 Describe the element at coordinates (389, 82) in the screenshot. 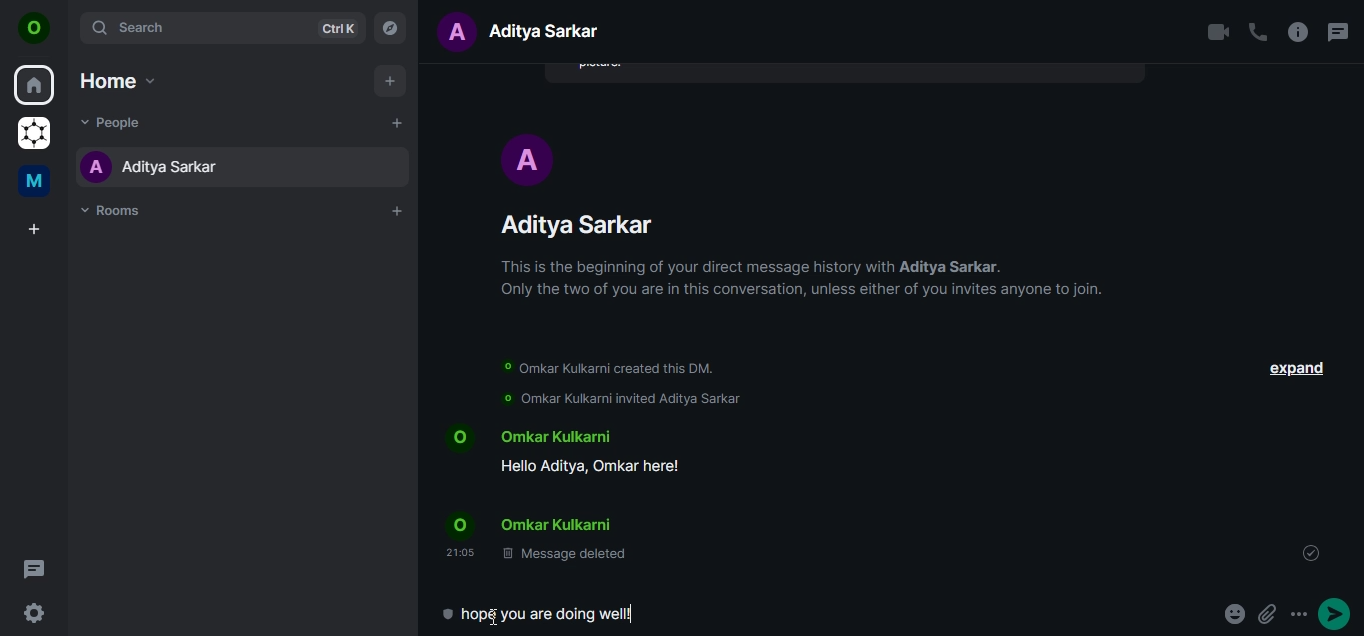

I see `add` at that location.